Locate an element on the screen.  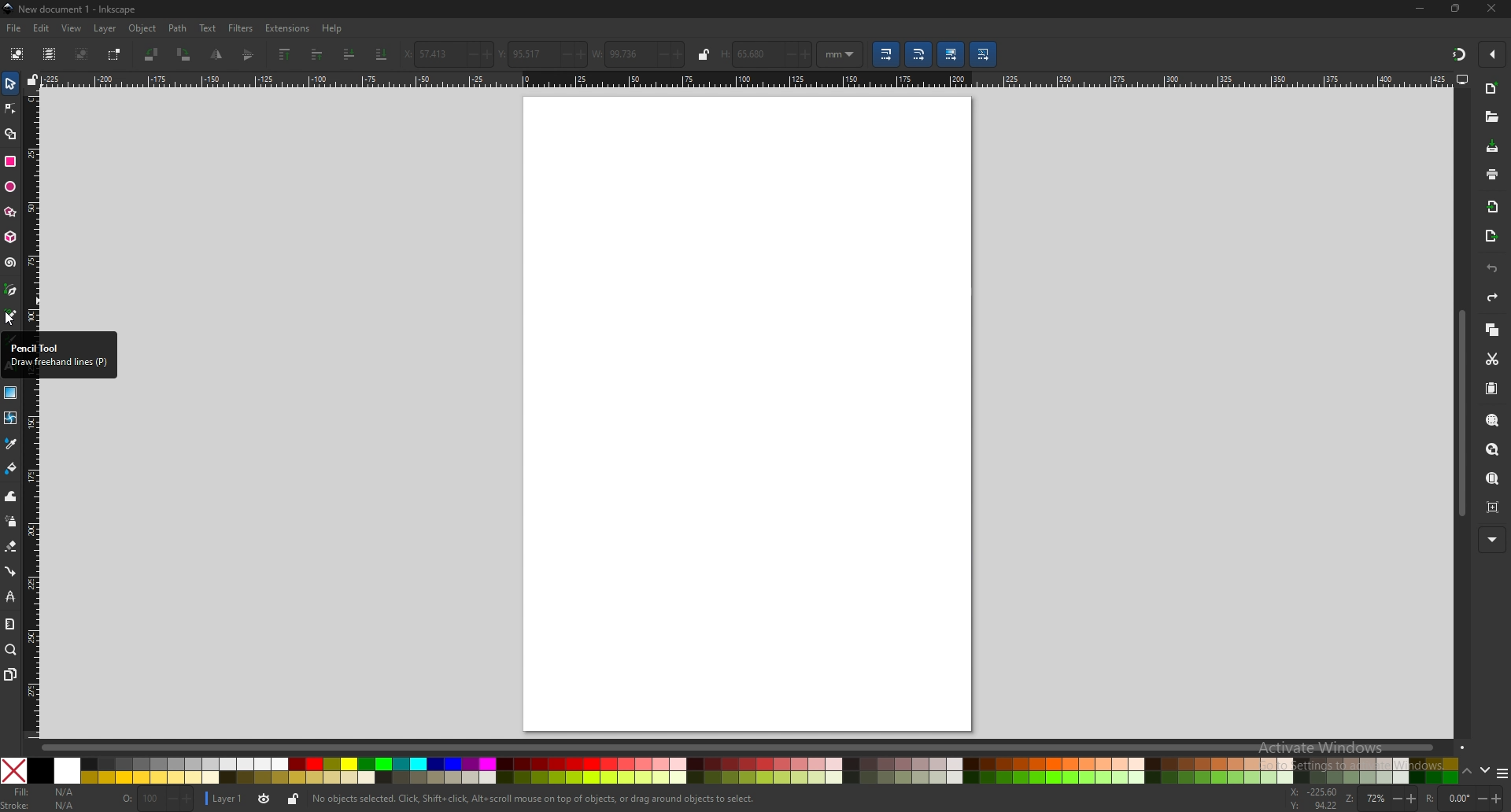
lock guides is located at coordinates (32, 79).